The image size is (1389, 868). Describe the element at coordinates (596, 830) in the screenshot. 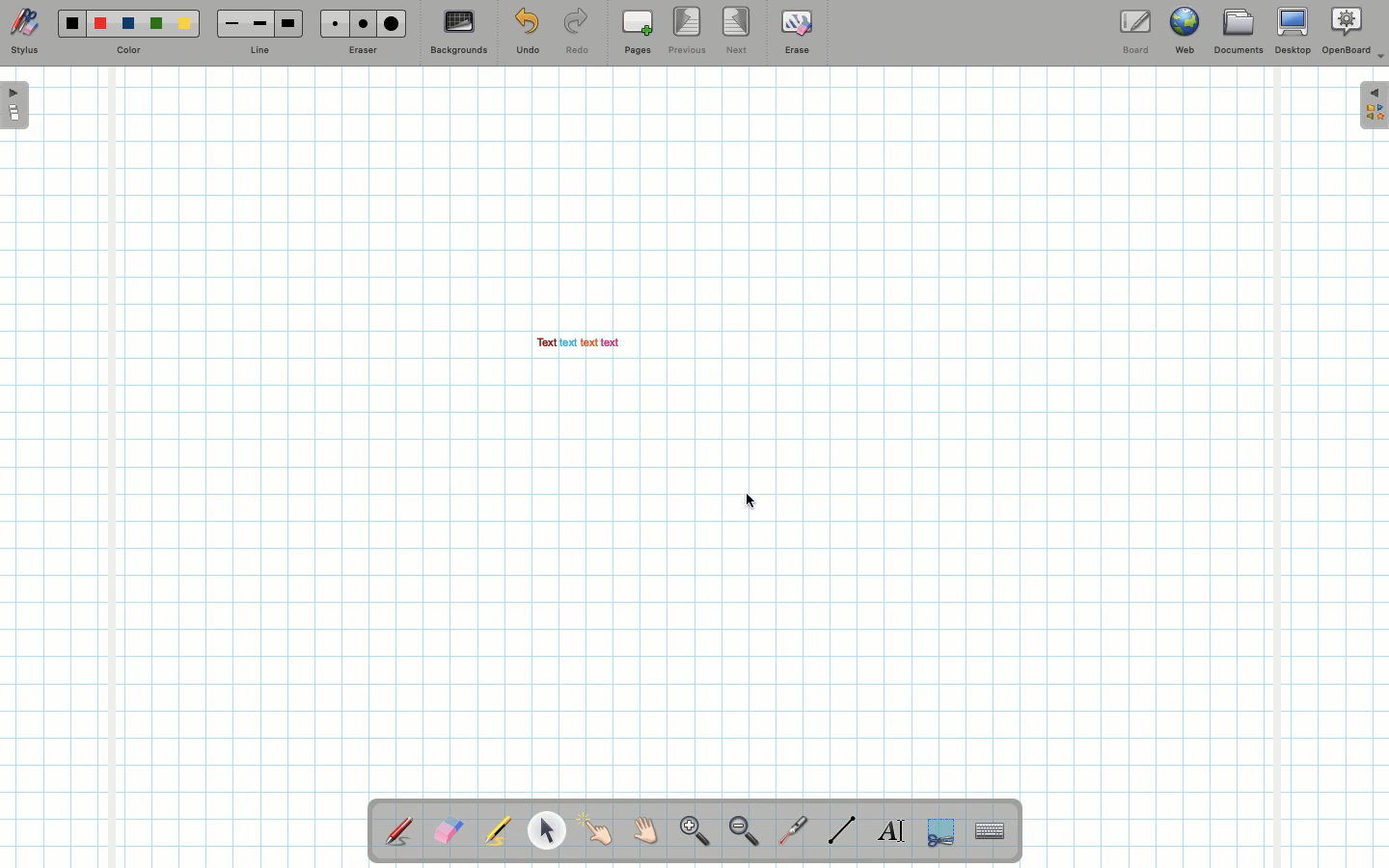

I see `Pointer` at that location.